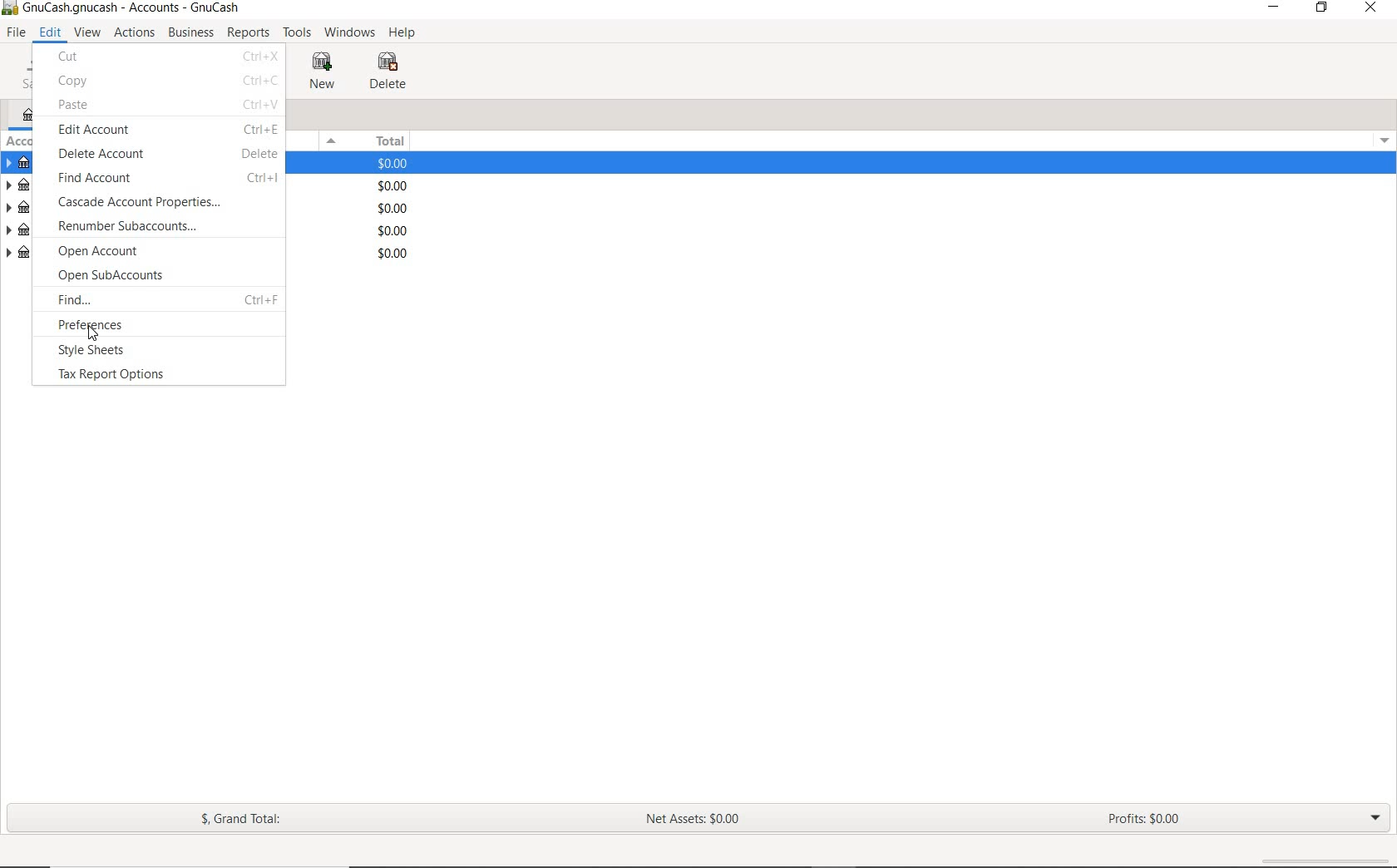 The image size is (1397, 868). Describe the element at coordinates (18, 230) in the screenshot. I see `EXPENSES` at that location.